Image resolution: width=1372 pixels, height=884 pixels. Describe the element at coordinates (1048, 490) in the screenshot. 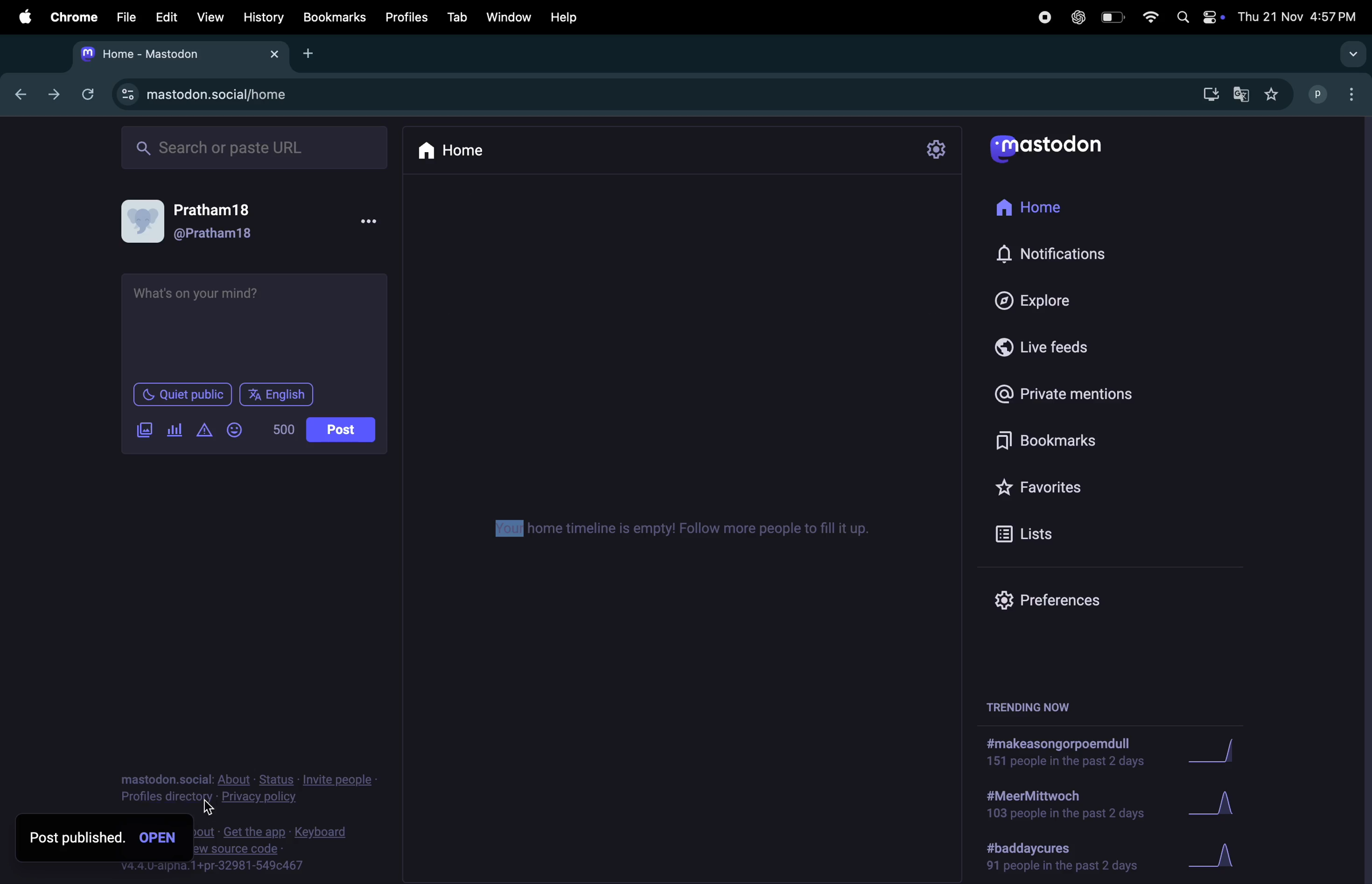

I see `favourites` at that location.